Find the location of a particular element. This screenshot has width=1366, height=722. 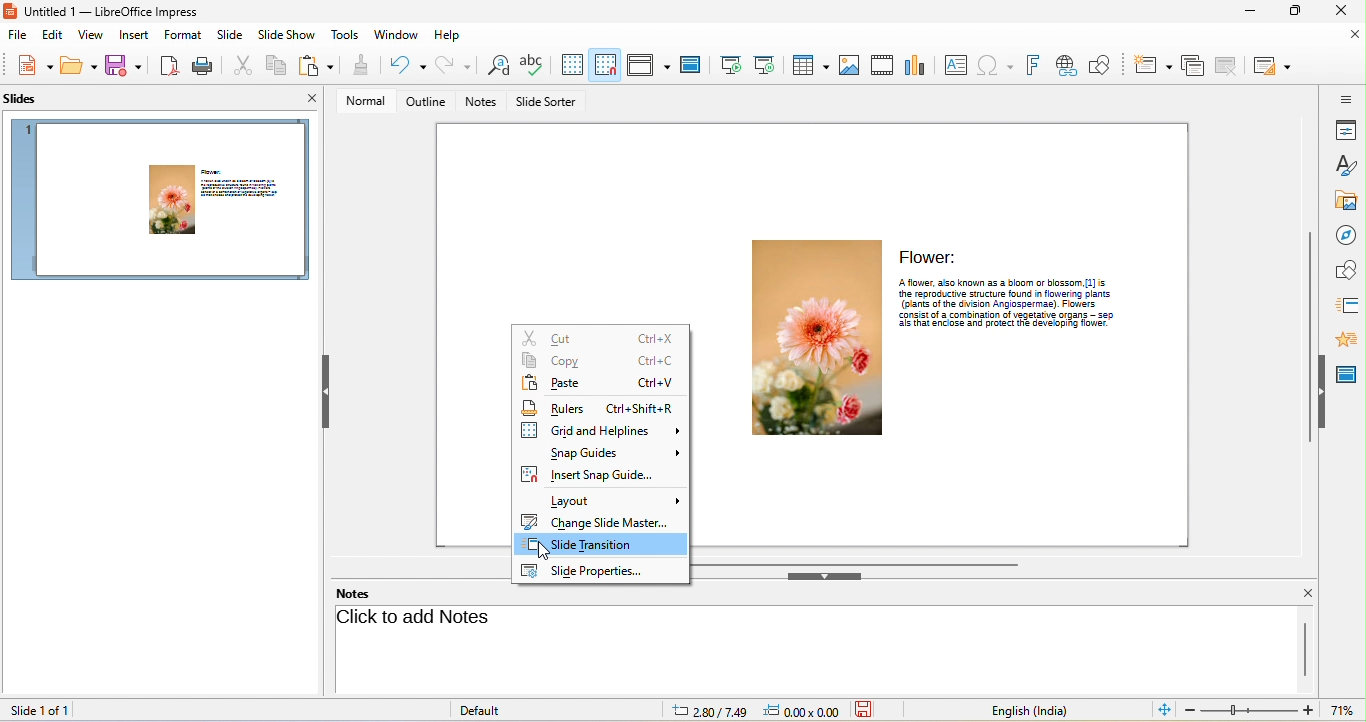

1.71/7.56 is located at coordinates (708, 711).